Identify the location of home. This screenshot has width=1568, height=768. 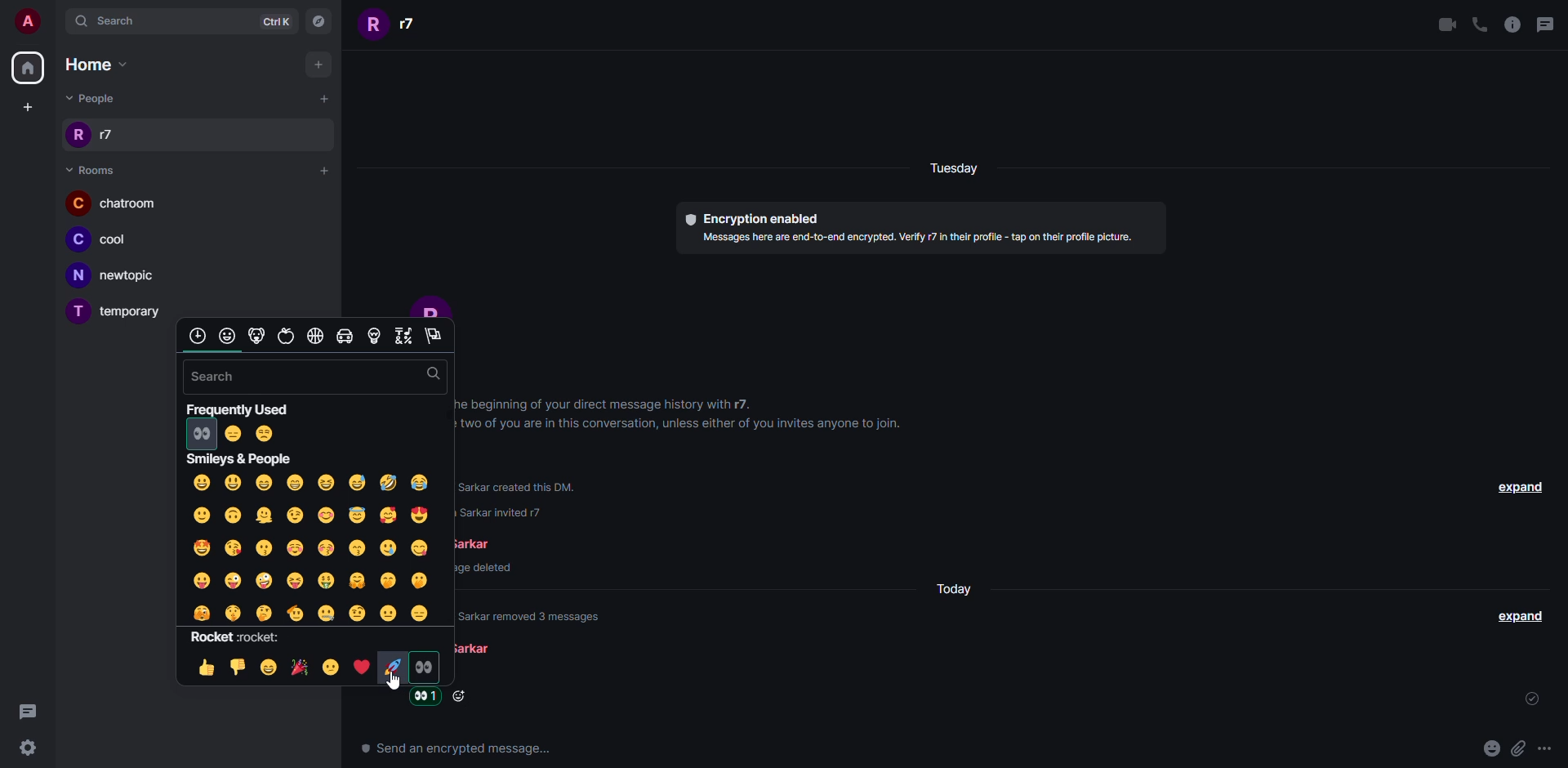
(28, 68).